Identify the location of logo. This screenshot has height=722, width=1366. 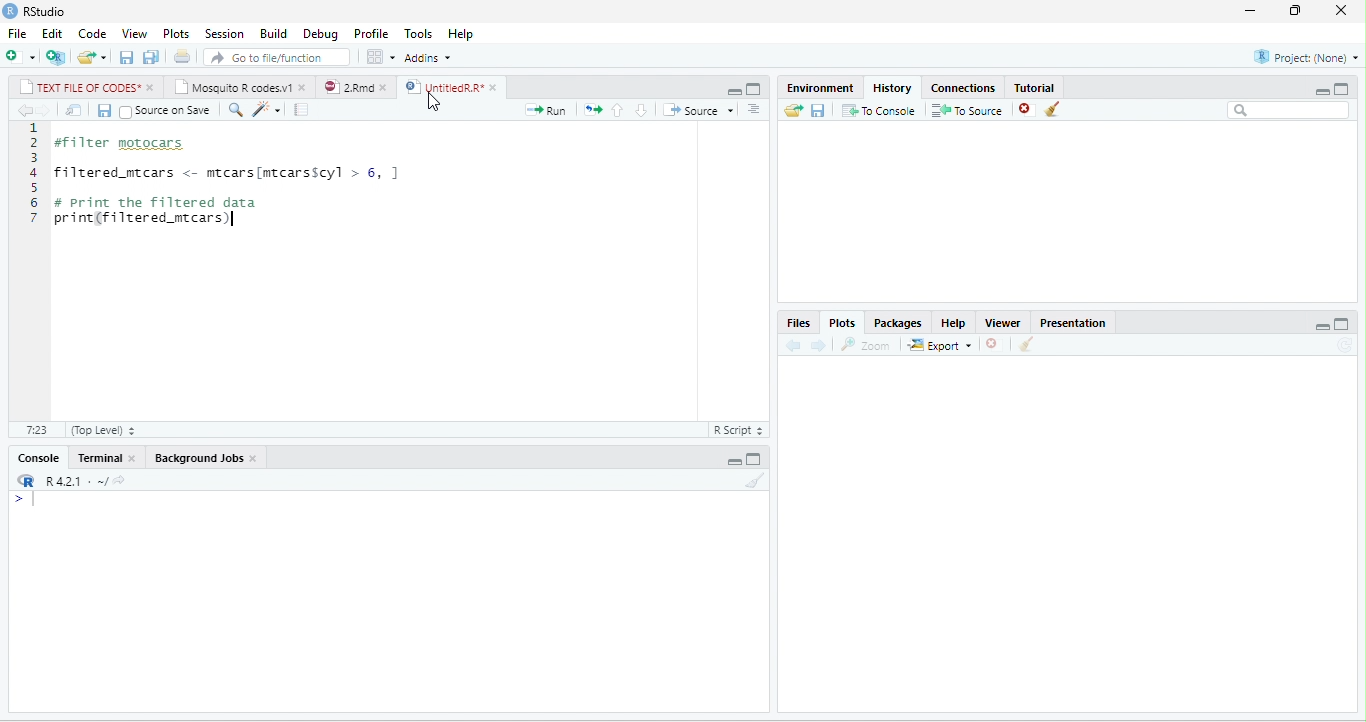
(10, 11).